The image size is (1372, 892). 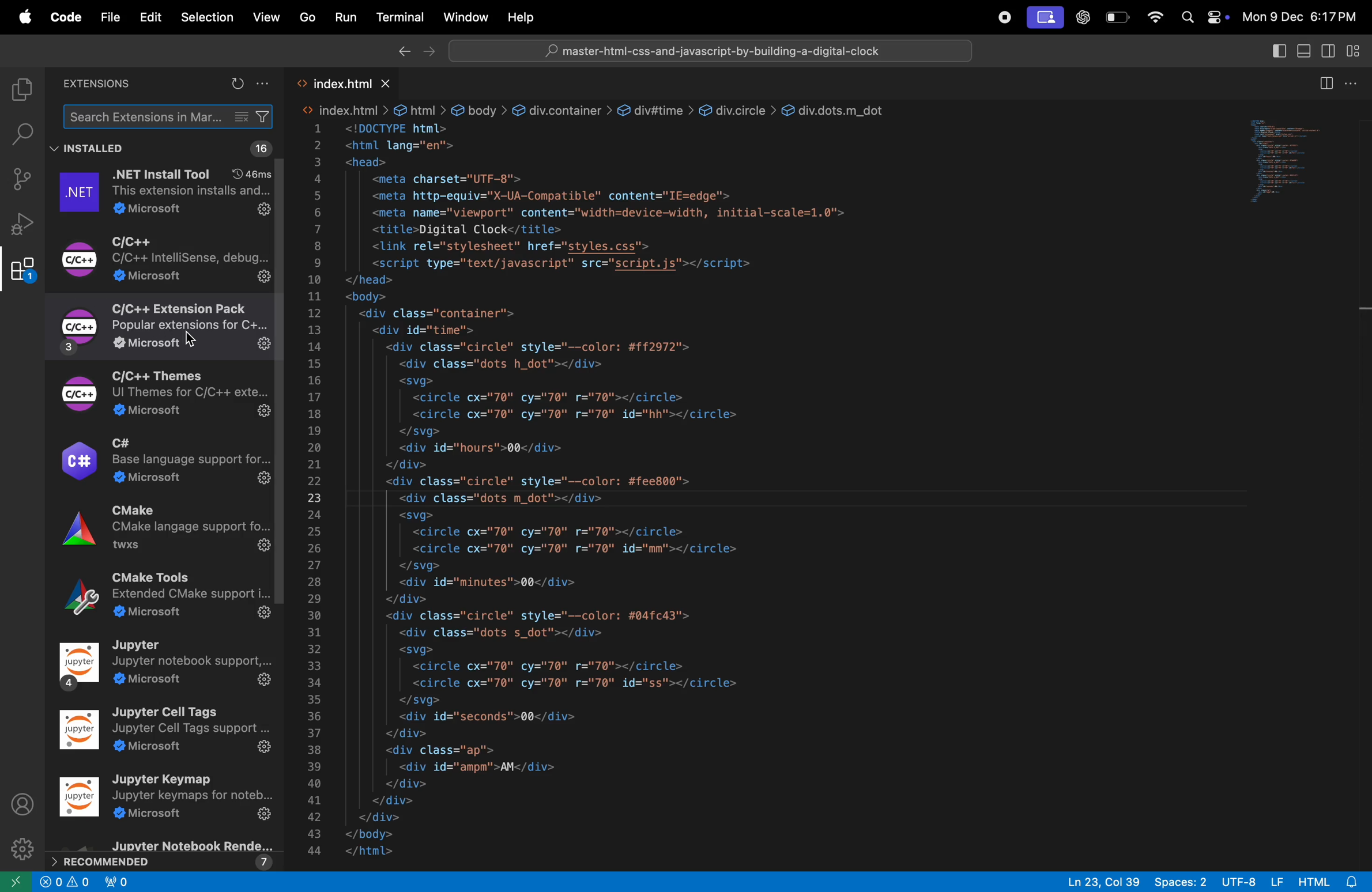 I want to click on selection, so click(x=206, y=18).